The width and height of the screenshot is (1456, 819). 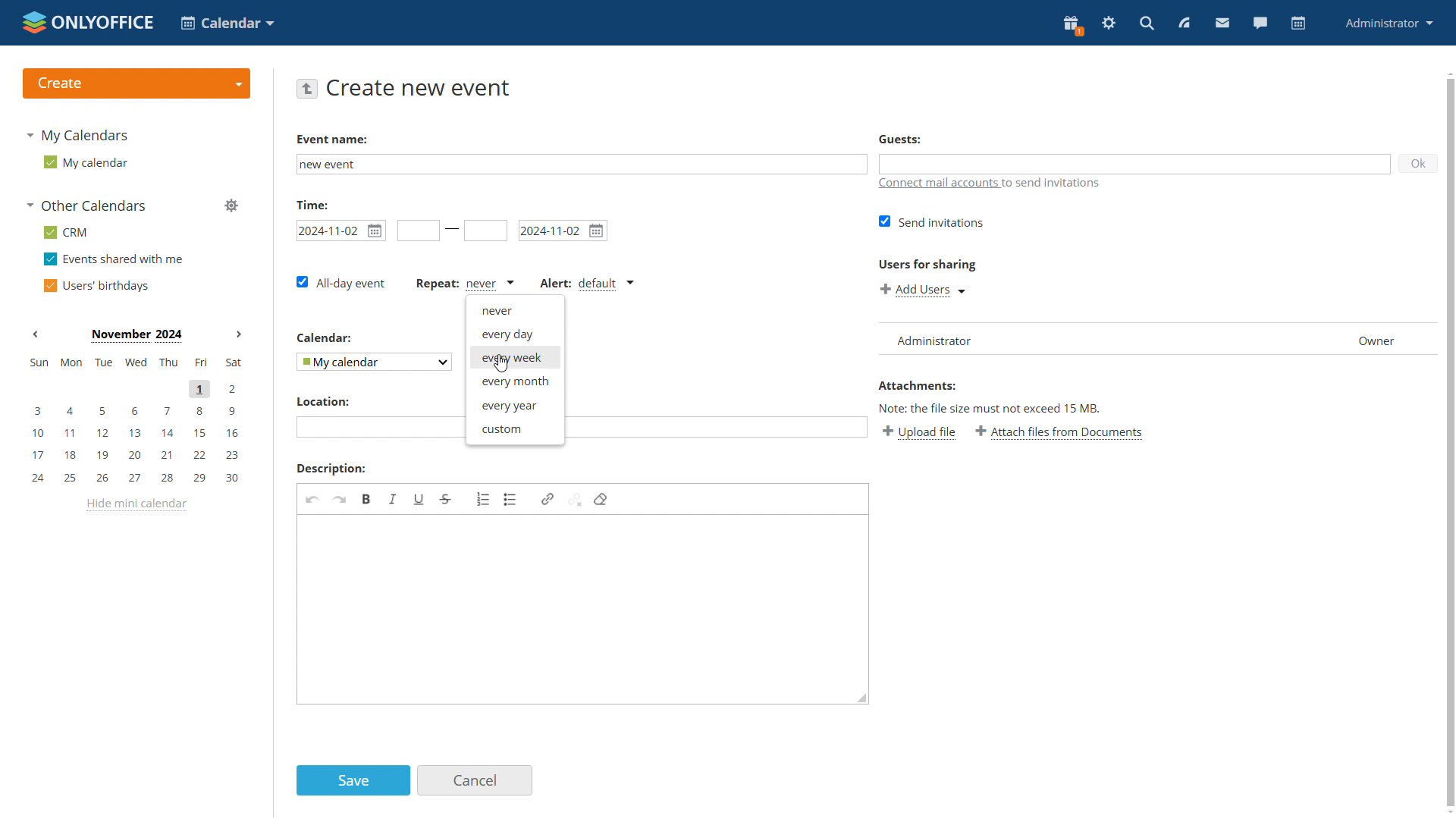 I want to click on other calendars, so click(x=90, y=206).